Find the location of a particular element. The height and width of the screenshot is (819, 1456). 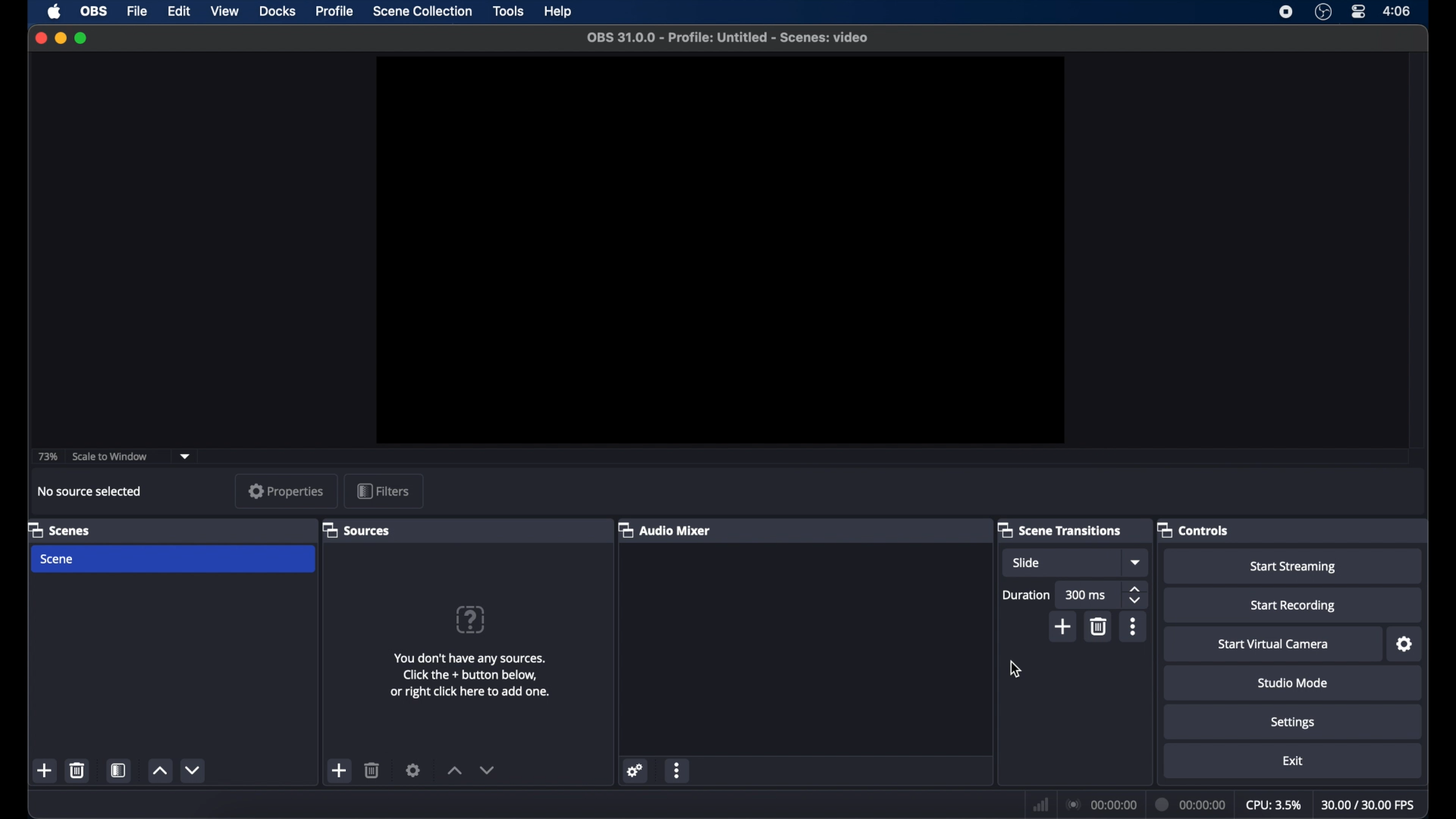

edit is located at coordinates (178, 11).